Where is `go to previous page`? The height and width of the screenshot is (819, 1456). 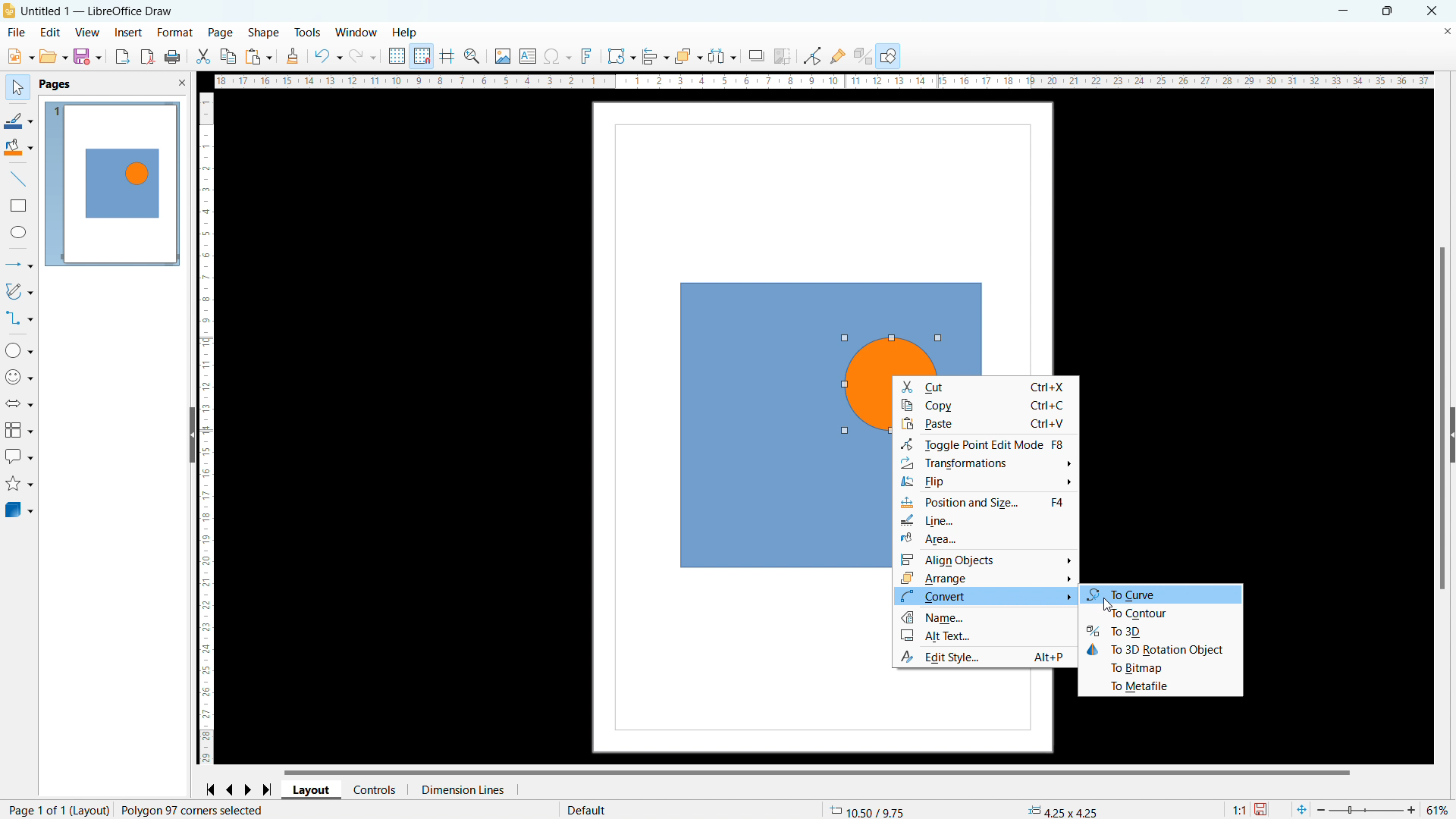 go to previous page is located at coordinates (229, 789).